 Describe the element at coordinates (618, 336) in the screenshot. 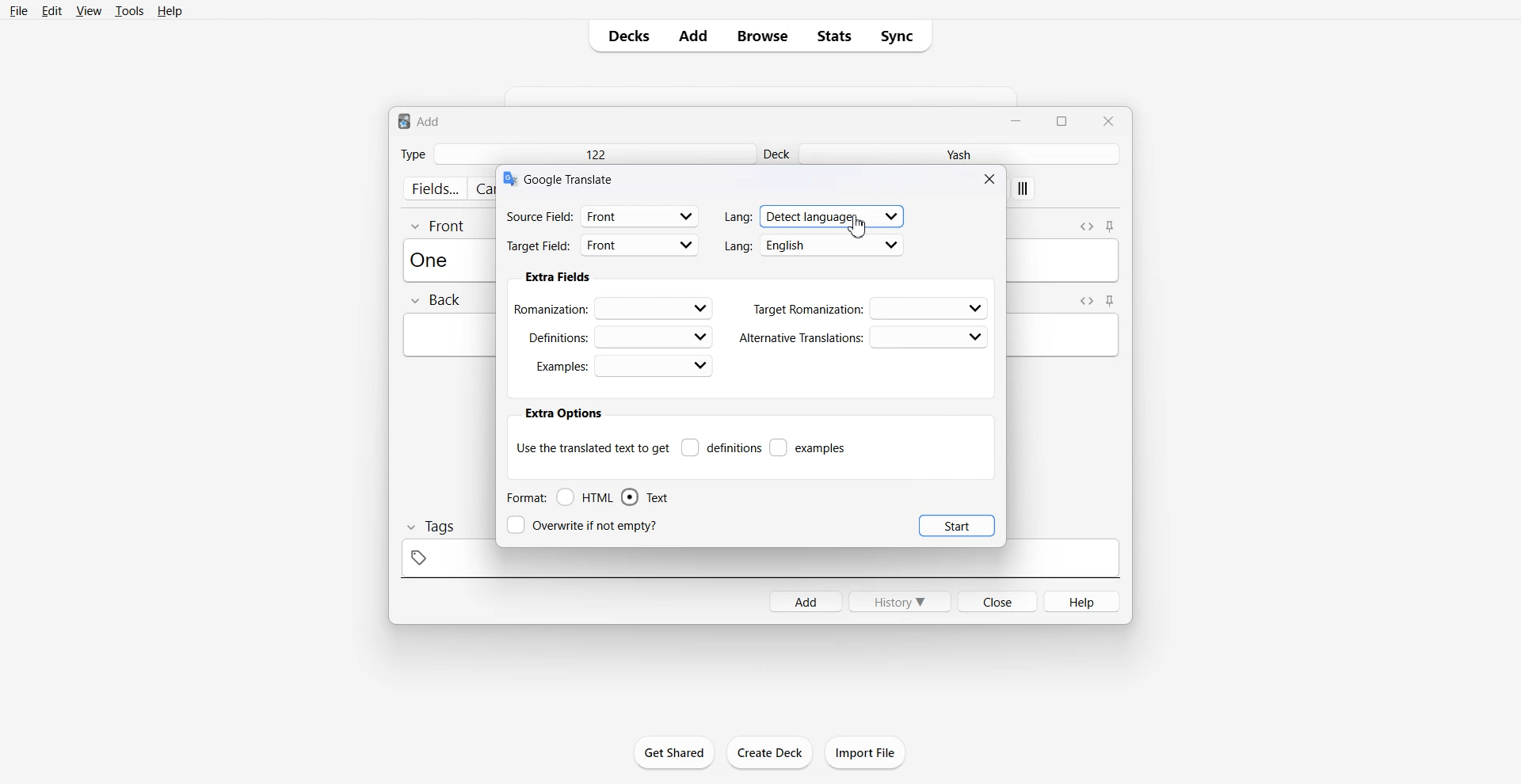

I see `Definations` at that location.